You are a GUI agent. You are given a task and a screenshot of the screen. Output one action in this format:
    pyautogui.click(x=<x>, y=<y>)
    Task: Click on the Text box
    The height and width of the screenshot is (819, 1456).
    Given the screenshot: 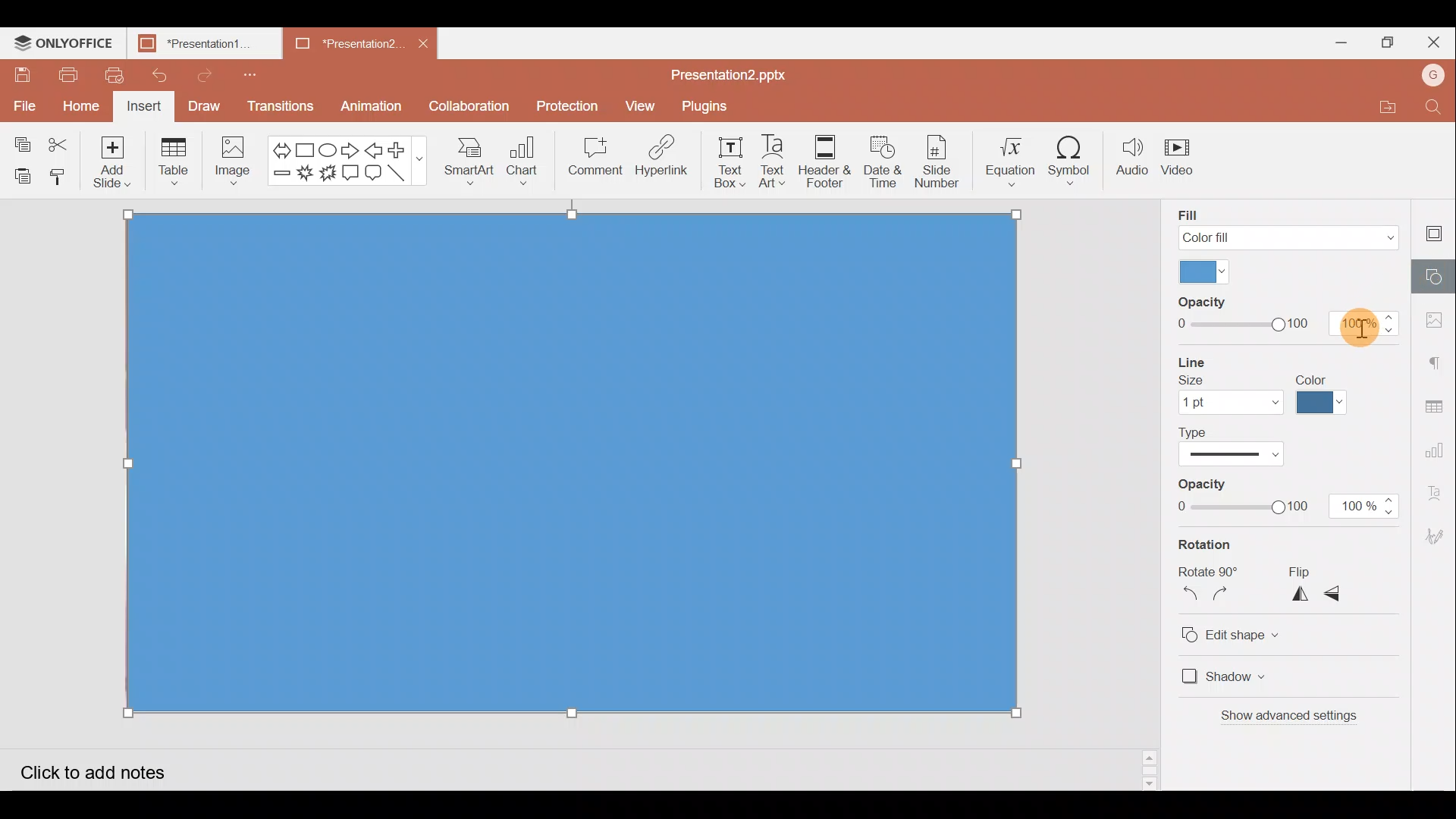 What is the action you would take?
    pyautogui.click(x=722, y=165)
    